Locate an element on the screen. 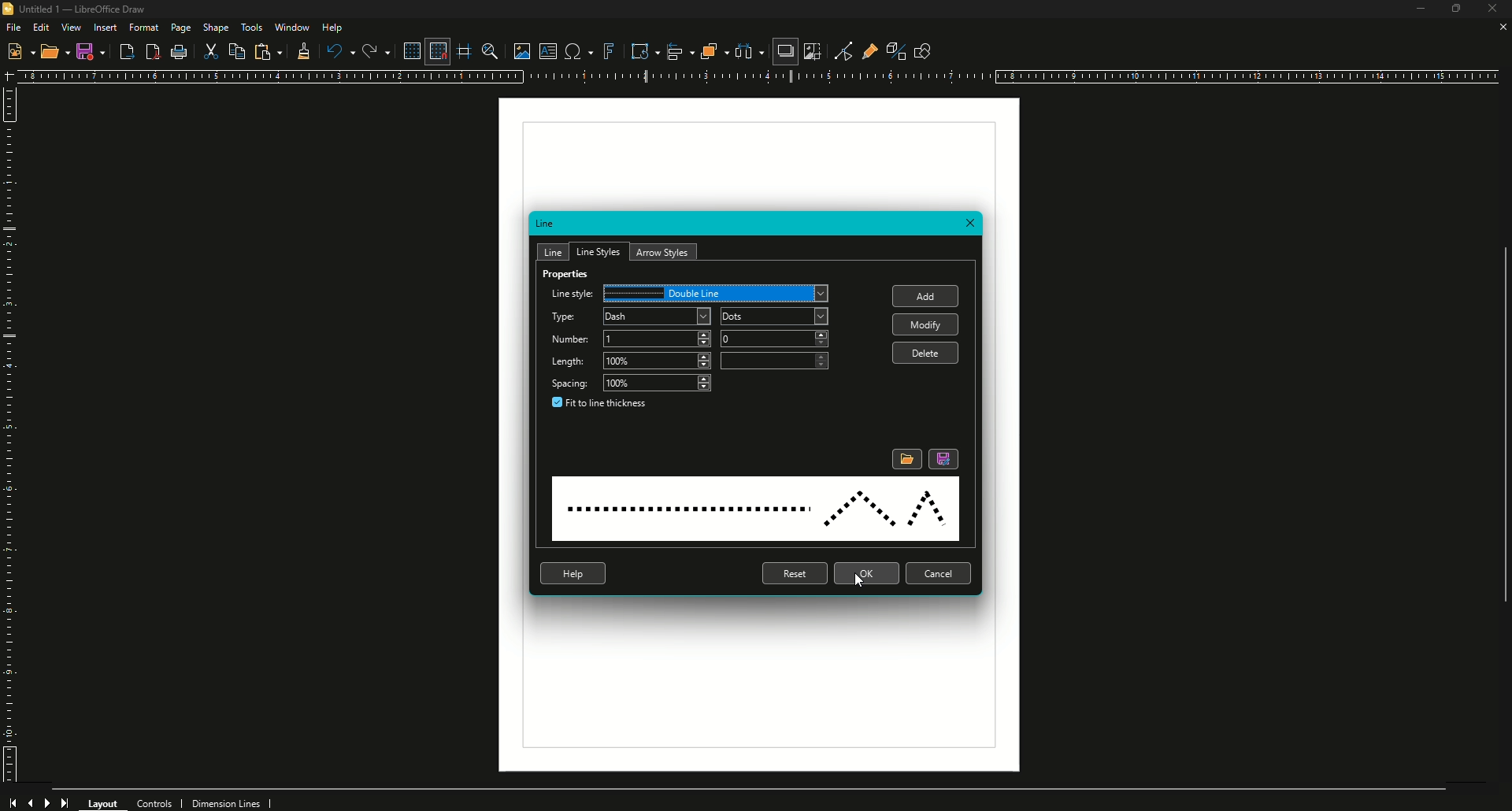 This screenshot has height=811, width=1512. Modify is located at coordinates (924, 324).